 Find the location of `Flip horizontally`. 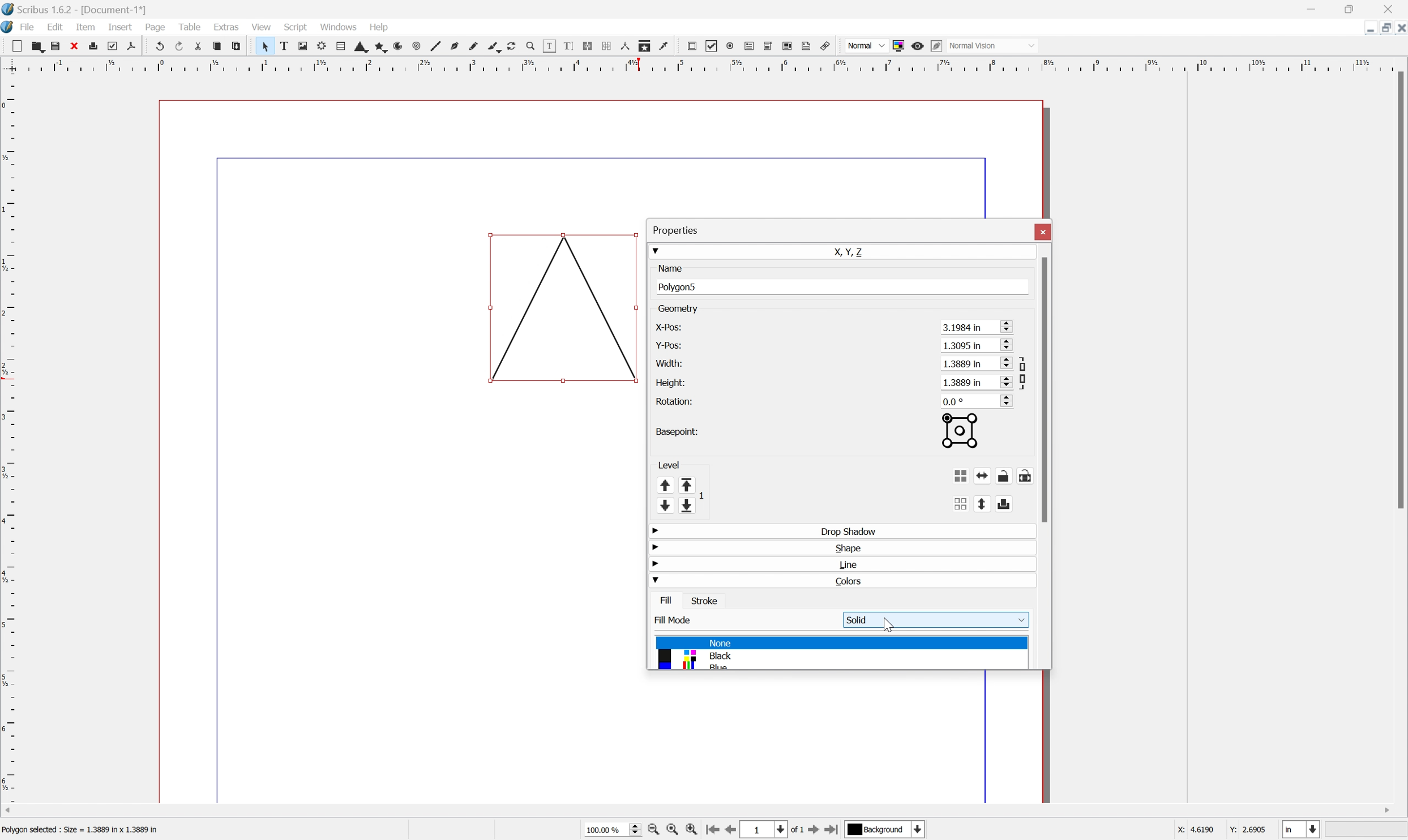

Flip horizontally is located at coordinates (997, 474).